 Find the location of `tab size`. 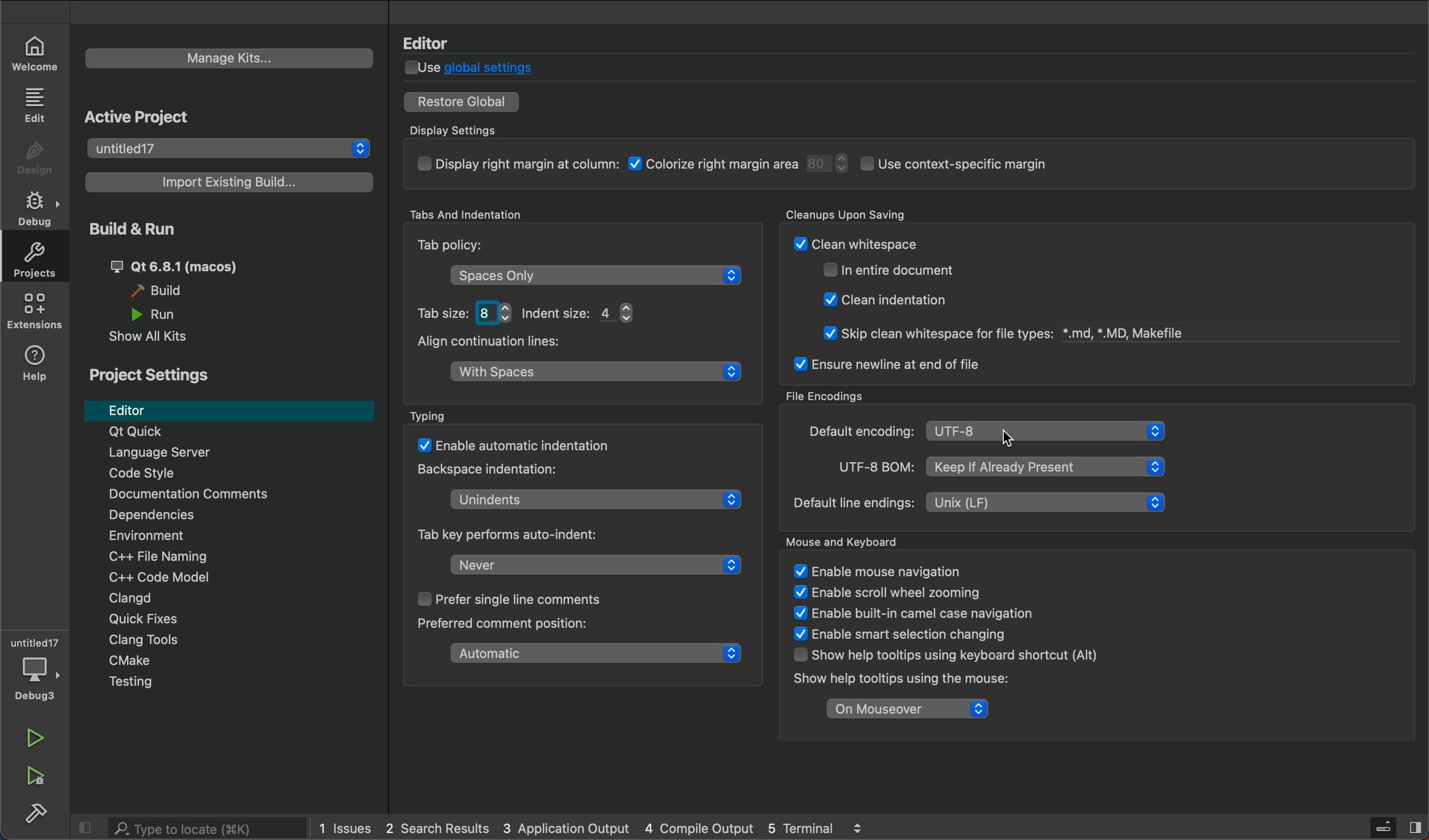

tab size is located at coordinates (457, 312).